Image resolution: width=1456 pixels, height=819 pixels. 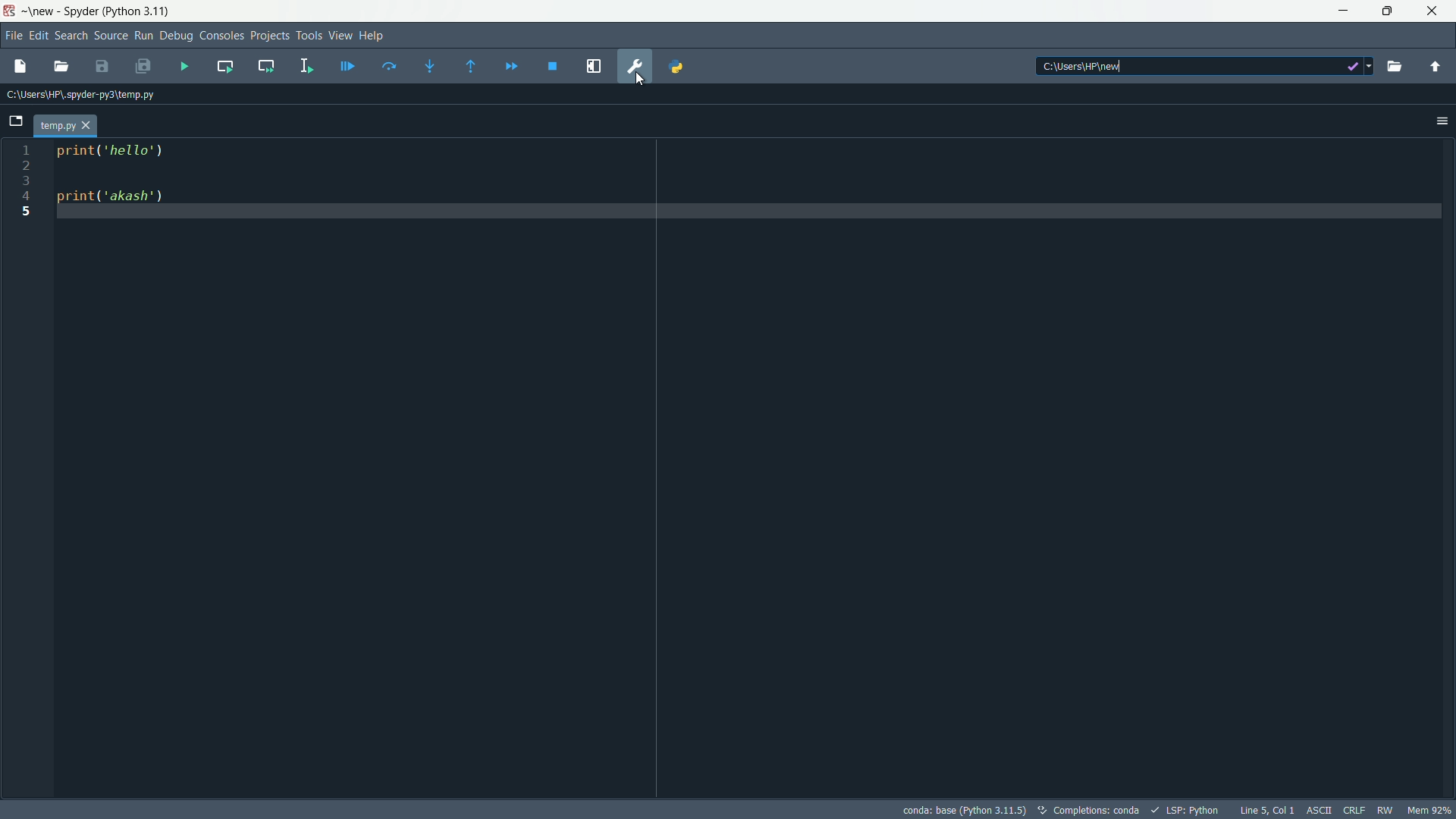 I want to click on 1 2 3 4 5, so click(x=27, y=187).